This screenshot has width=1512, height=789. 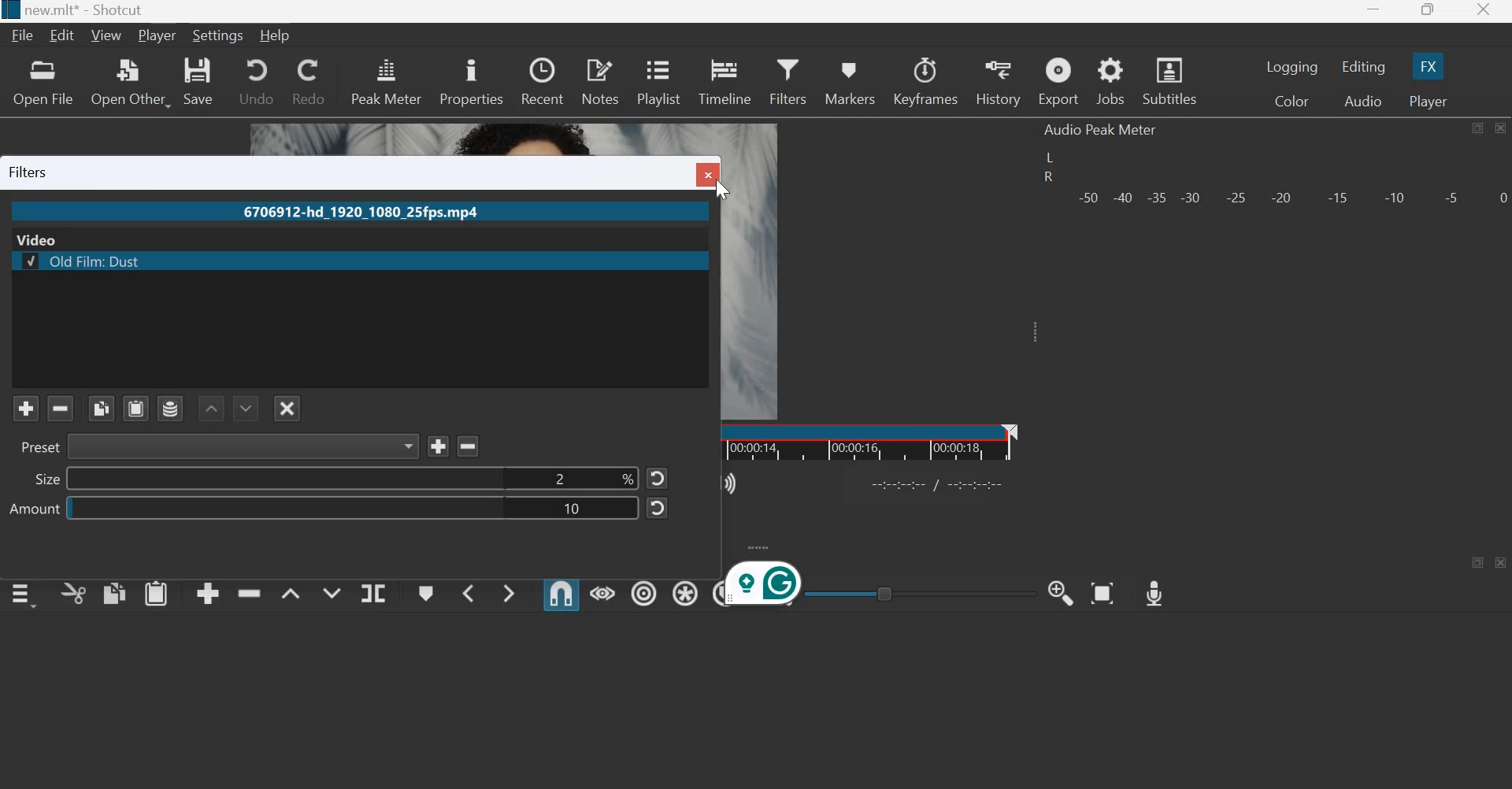 What do you see at coordinates (1032, 332) in the screenshot?
I see `Expand` at bounding box center [1032, 332].